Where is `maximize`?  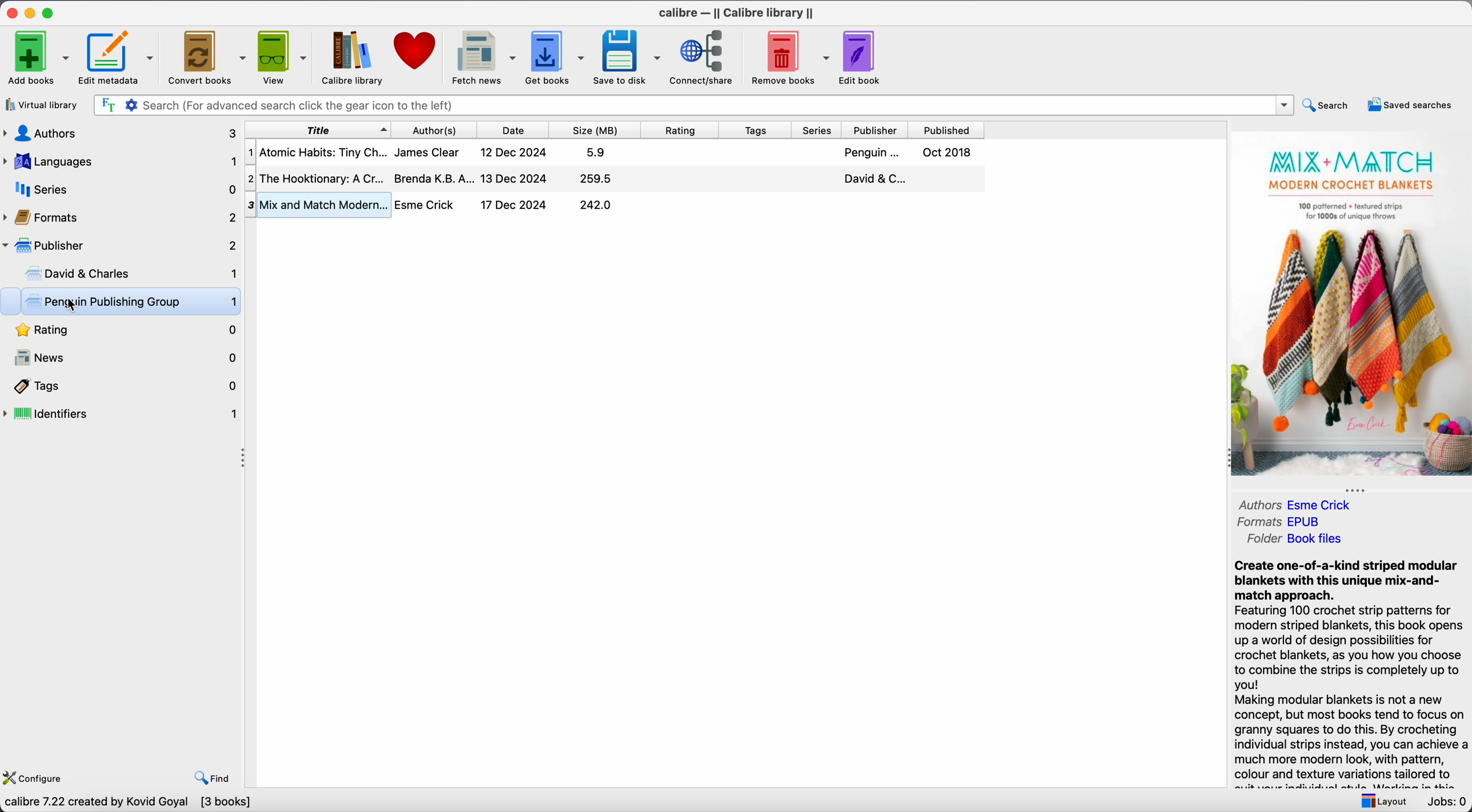
maximize is located at coordinates (50, 12).